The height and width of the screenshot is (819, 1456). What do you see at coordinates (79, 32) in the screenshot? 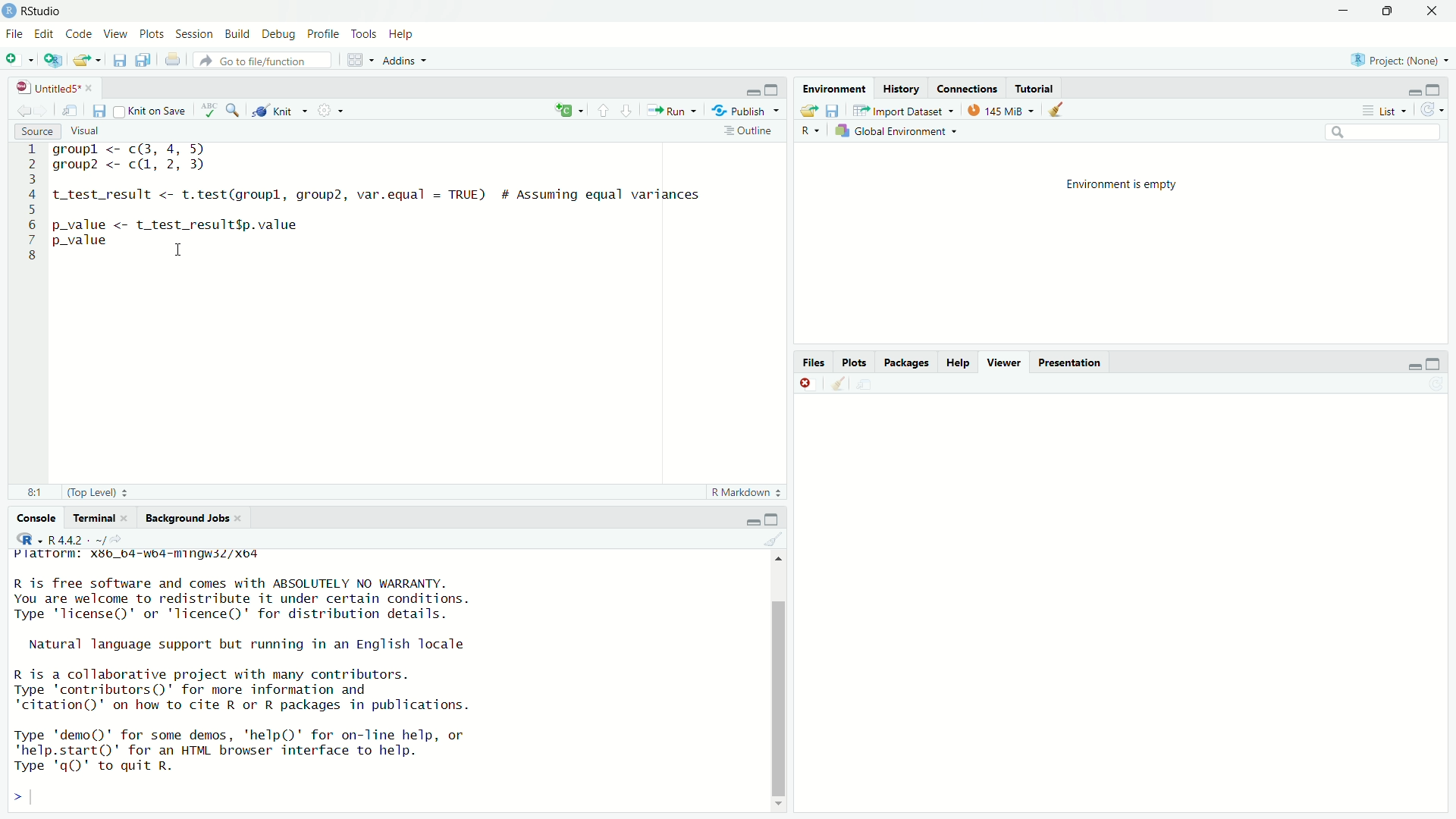
I see `Code` at bounding box center [79, 32].